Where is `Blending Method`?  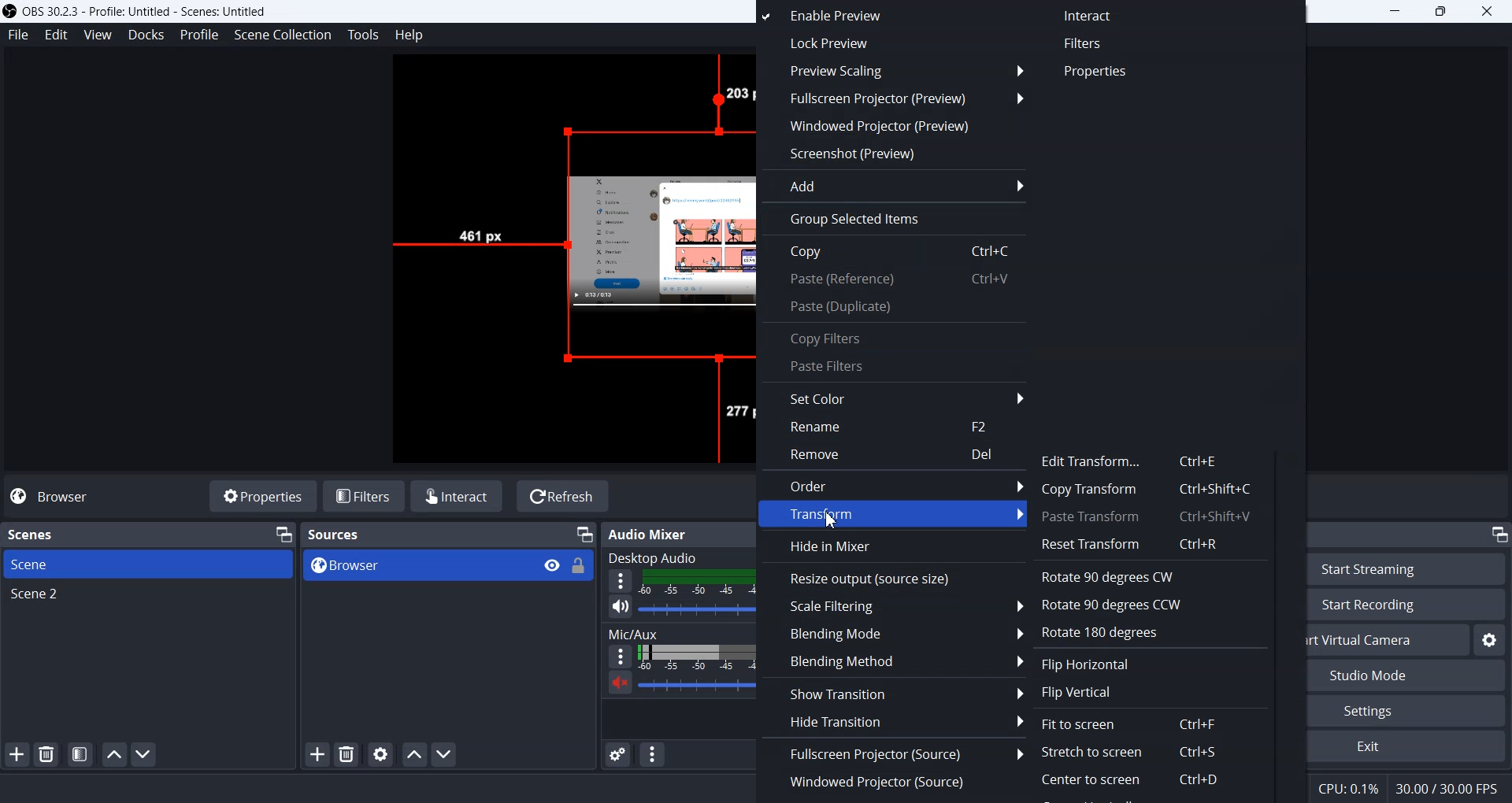 Blending Method is located at coordinates (891, 661).